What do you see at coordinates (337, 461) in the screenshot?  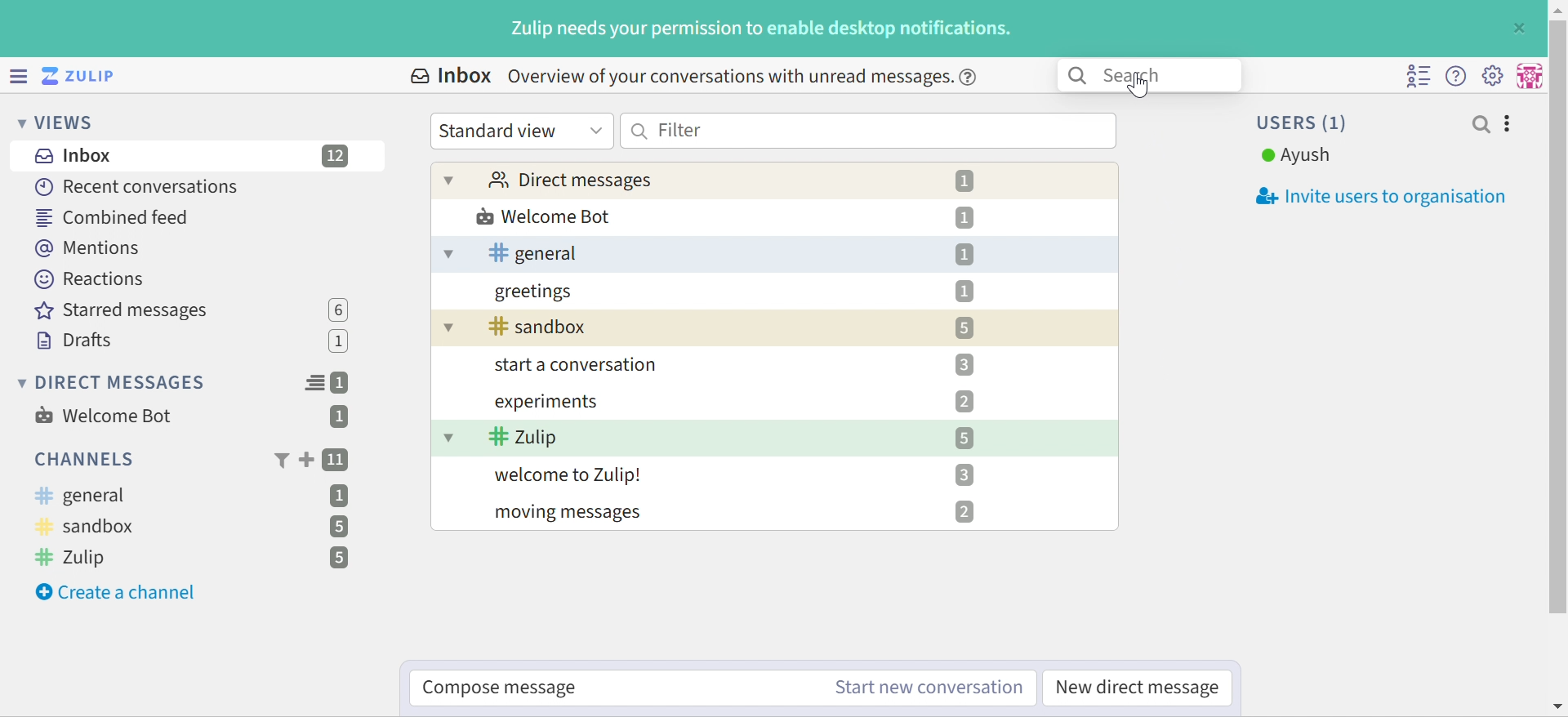 I see `11` at bounding box center [337, 461].